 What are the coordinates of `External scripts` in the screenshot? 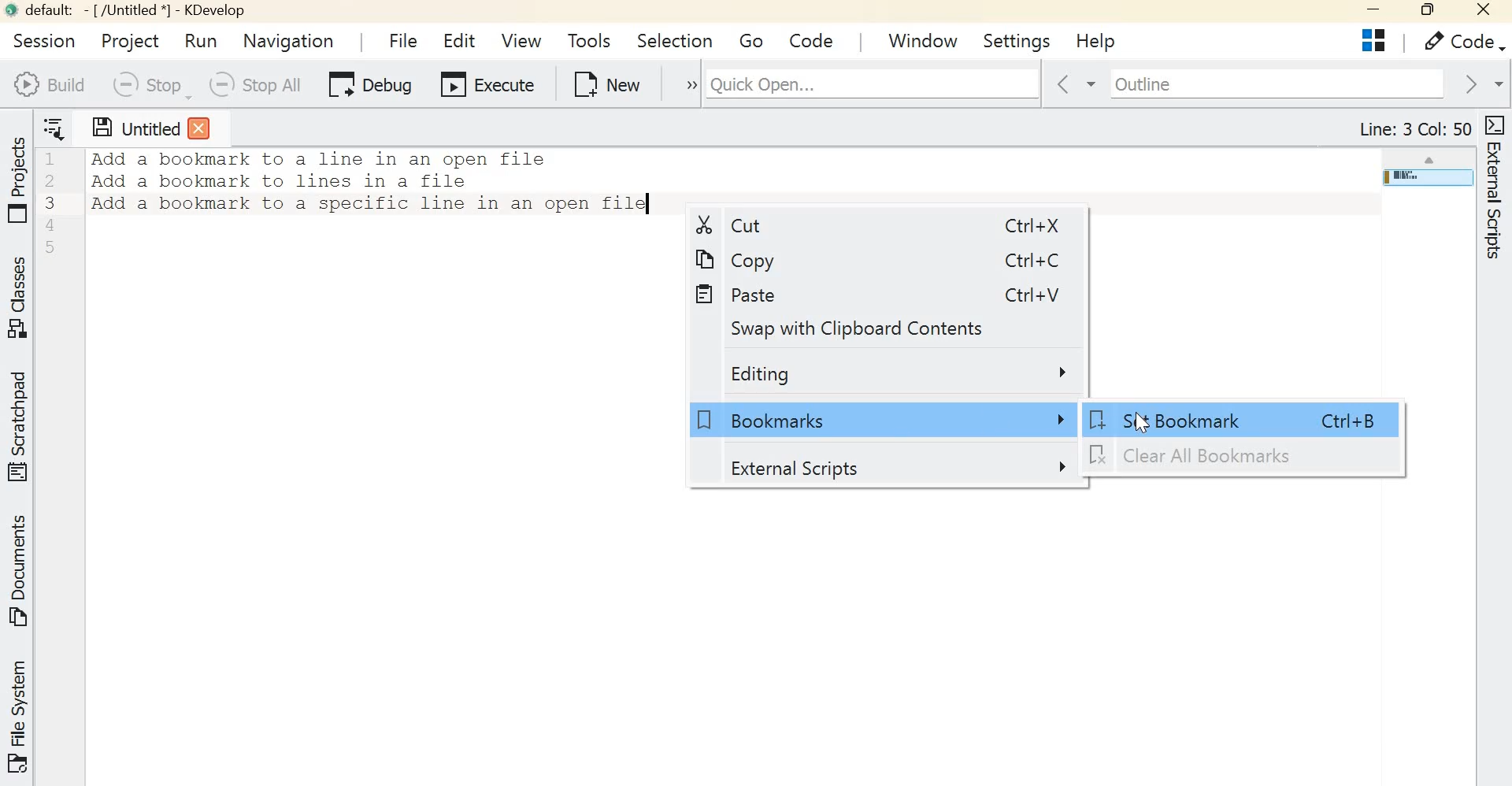 It's located at (896, 469).